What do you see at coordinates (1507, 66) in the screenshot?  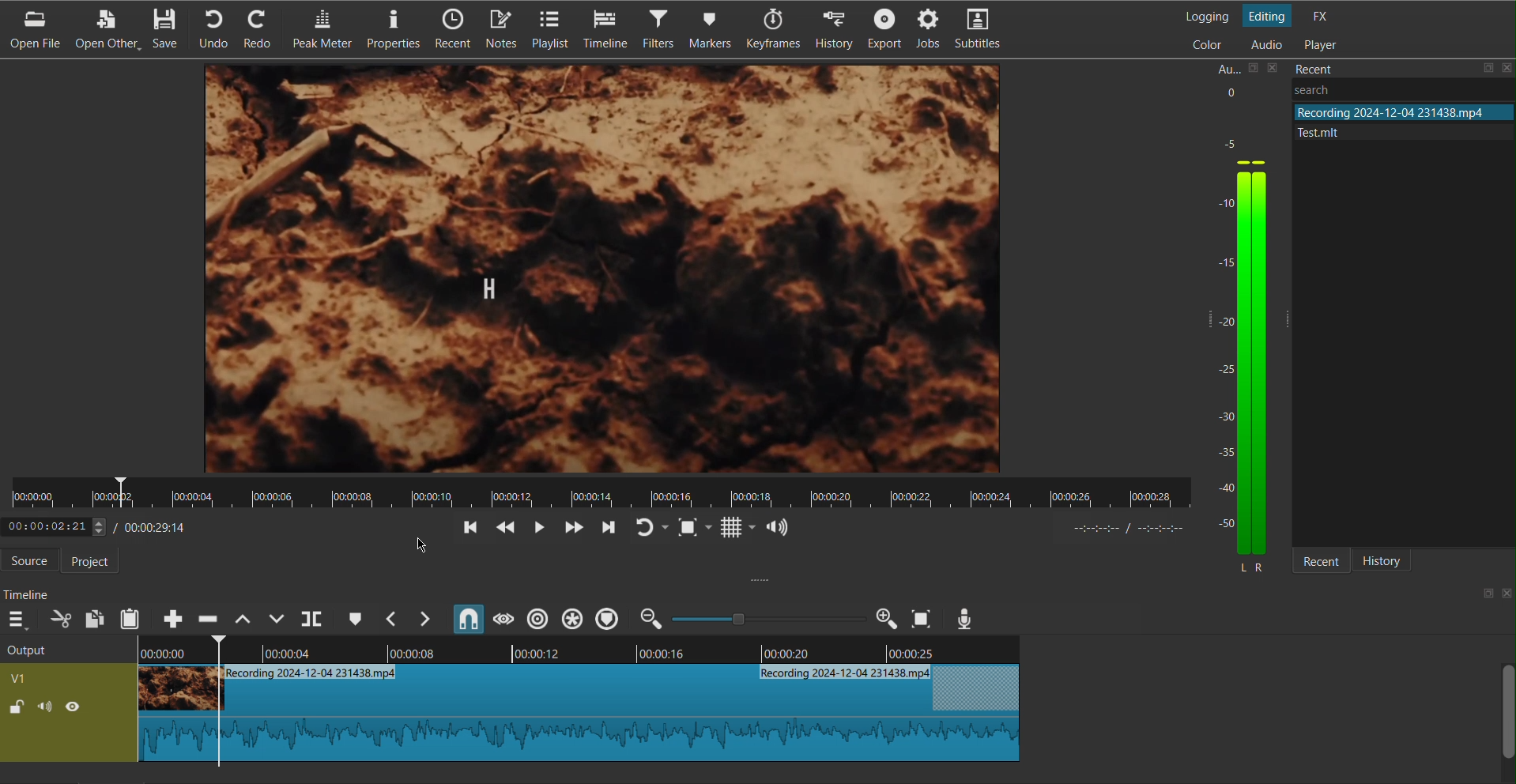 I see `close` at bounding box center [1507, 66].